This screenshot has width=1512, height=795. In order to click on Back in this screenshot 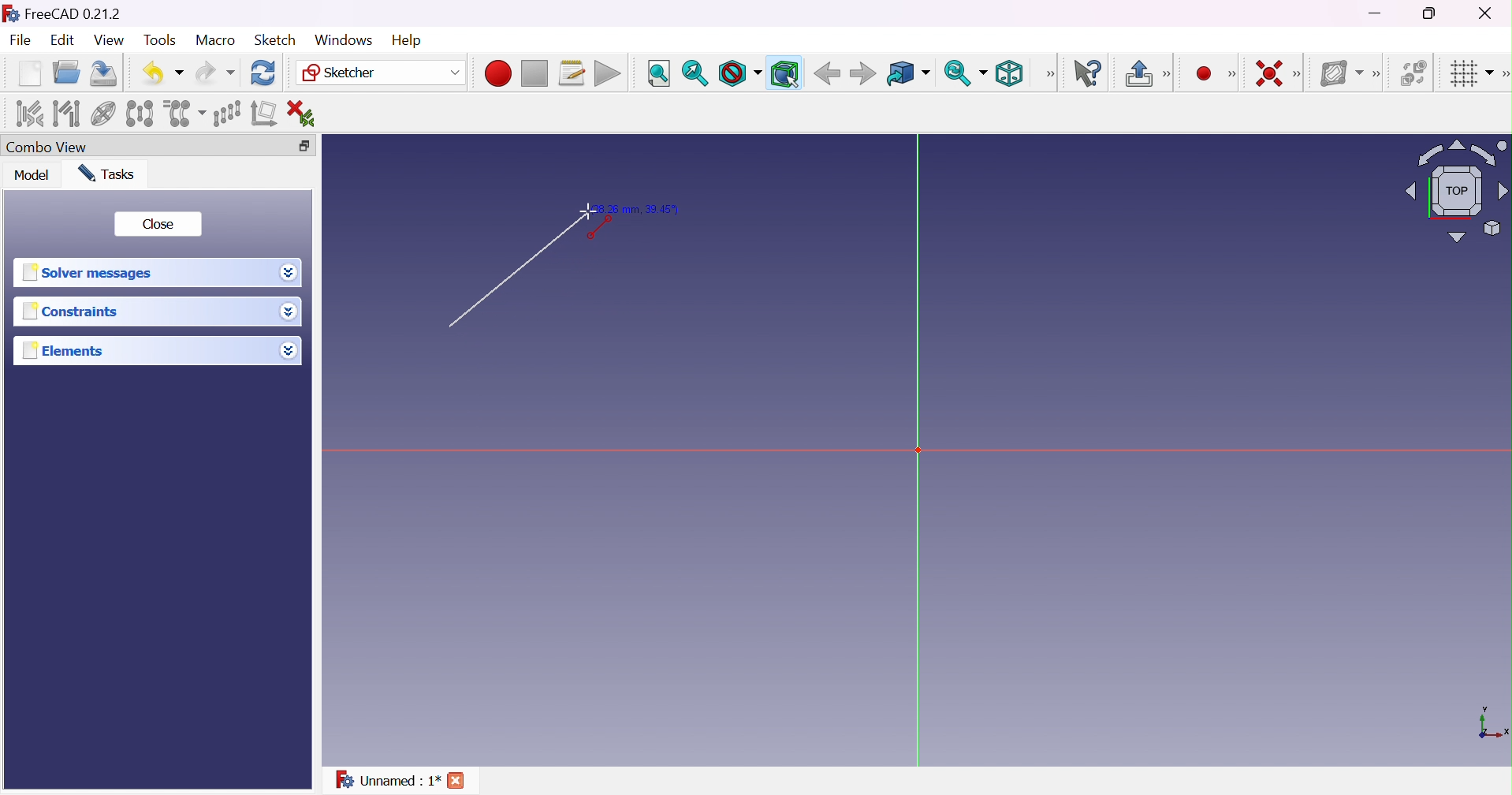, I will do `click(827, 74)`.